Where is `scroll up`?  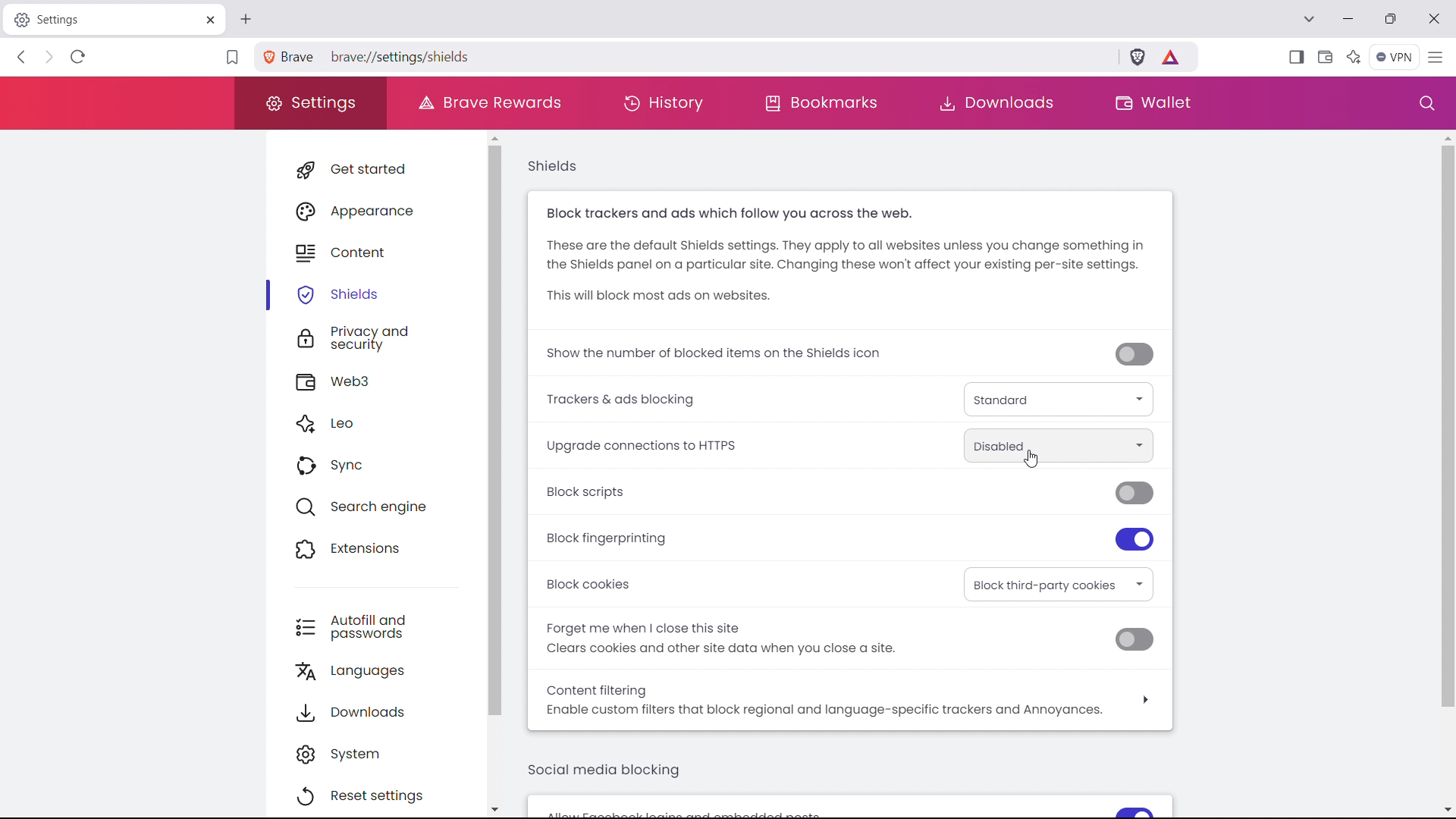
scroll up is located at coordinates (498, 137).